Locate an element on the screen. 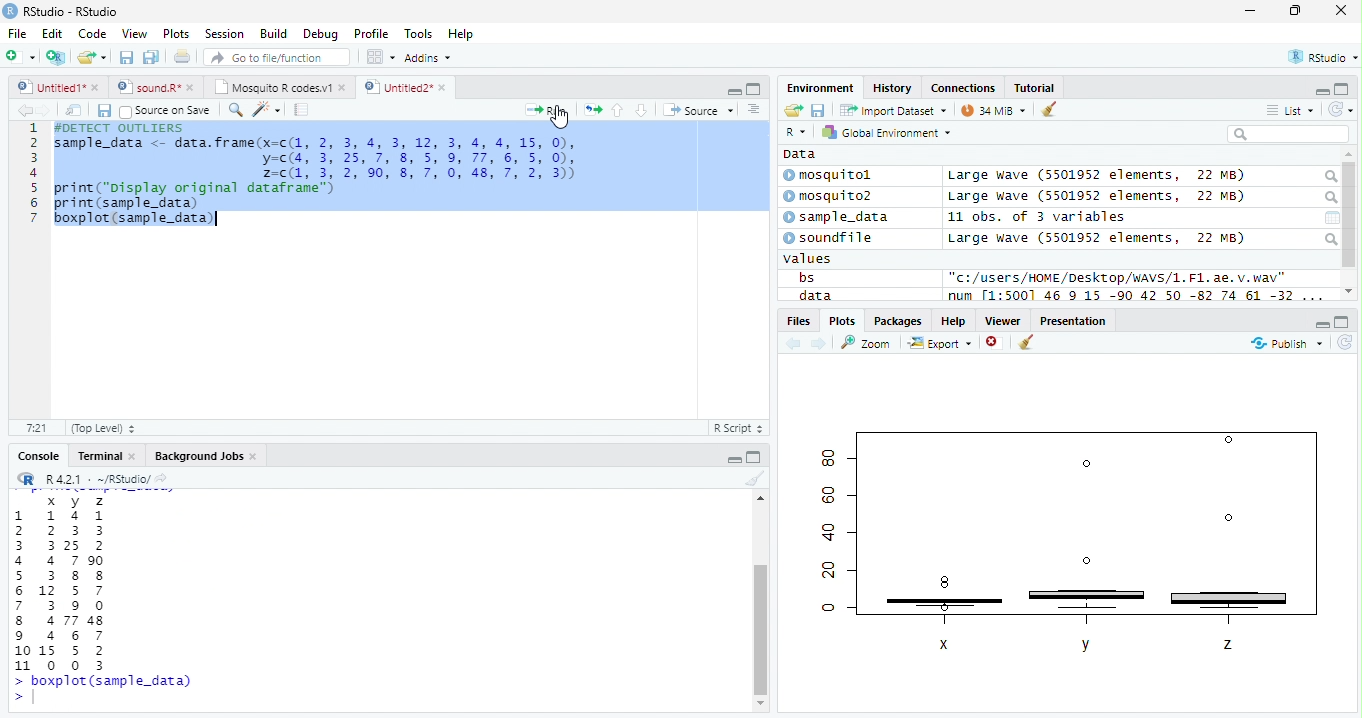 This screenshot has width=1362, height=718. Large wave (5501952 elements, 22 MB) is located at coordinates (1100, 197).